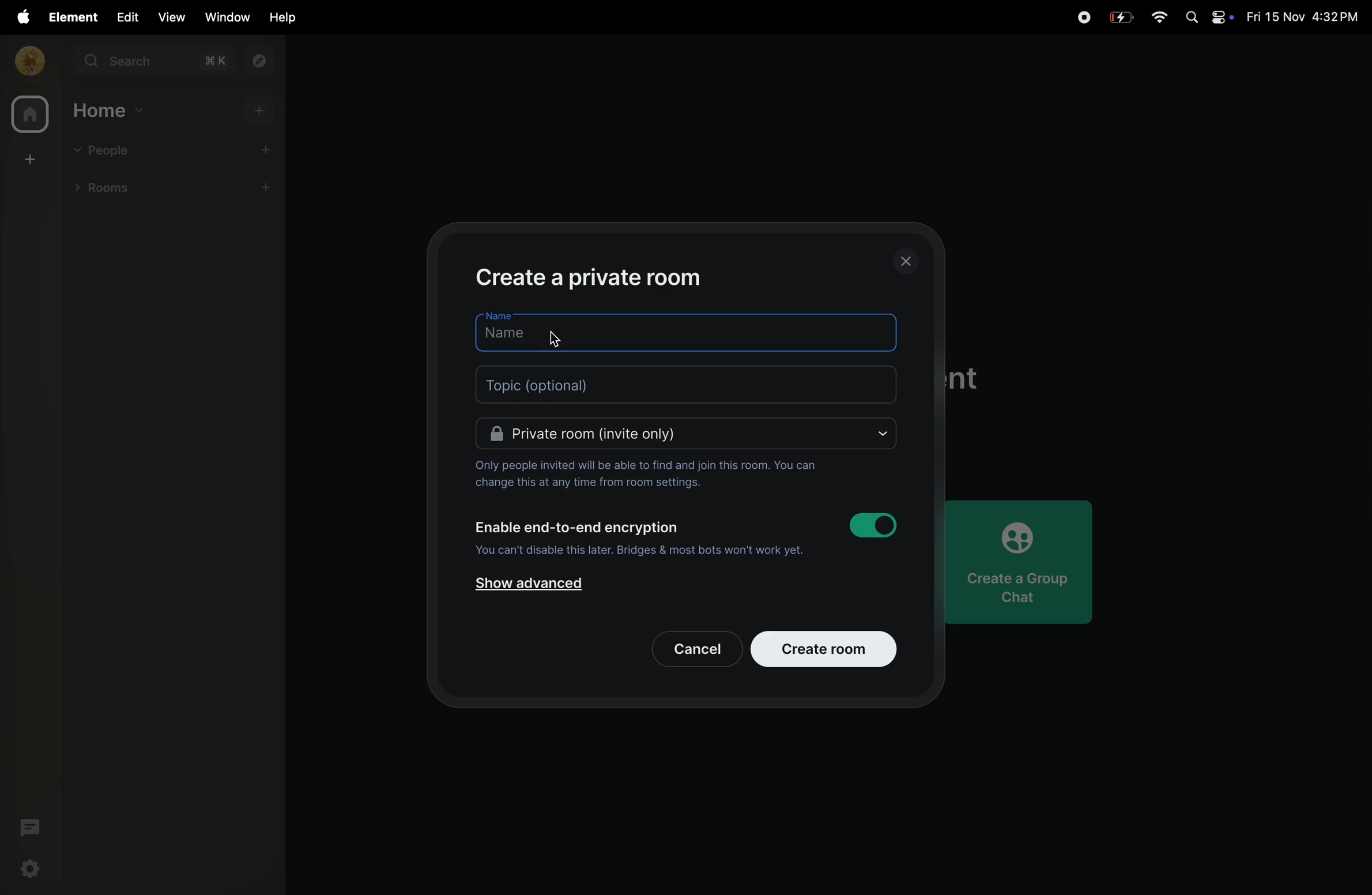 This screenshot has width=1372, height=895. I want to click on element, so click(68, 17).